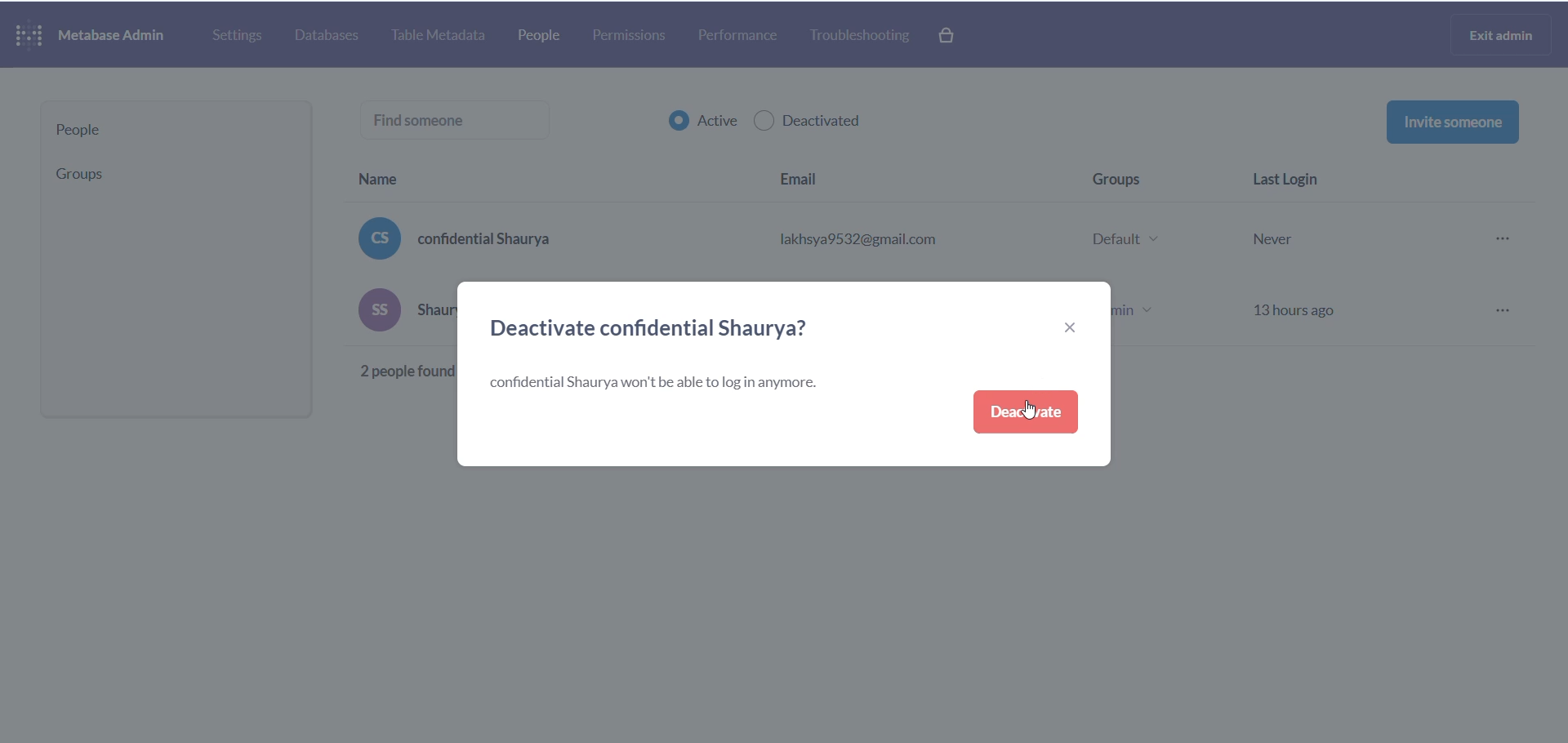 This screenshot has width=1568, height=743. What do you see at coordinates (868, 239) in the screenshot?
I see `lakhsya9532@gmail.com` at bounding box center [868, 239].